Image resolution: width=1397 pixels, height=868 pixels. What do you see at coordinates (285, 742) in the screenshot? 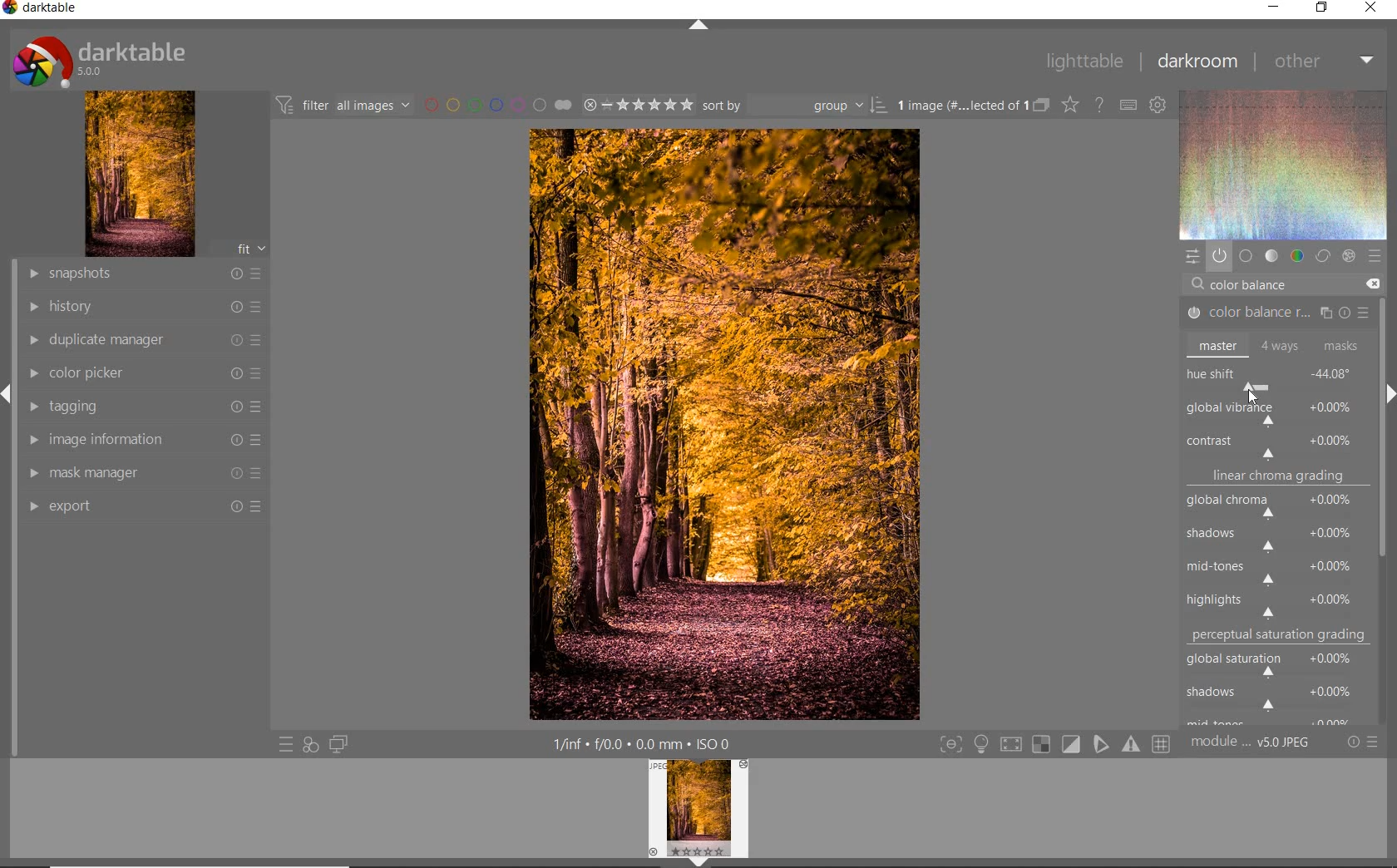
I see `quick access to preset` at bounding box center [285, 742].